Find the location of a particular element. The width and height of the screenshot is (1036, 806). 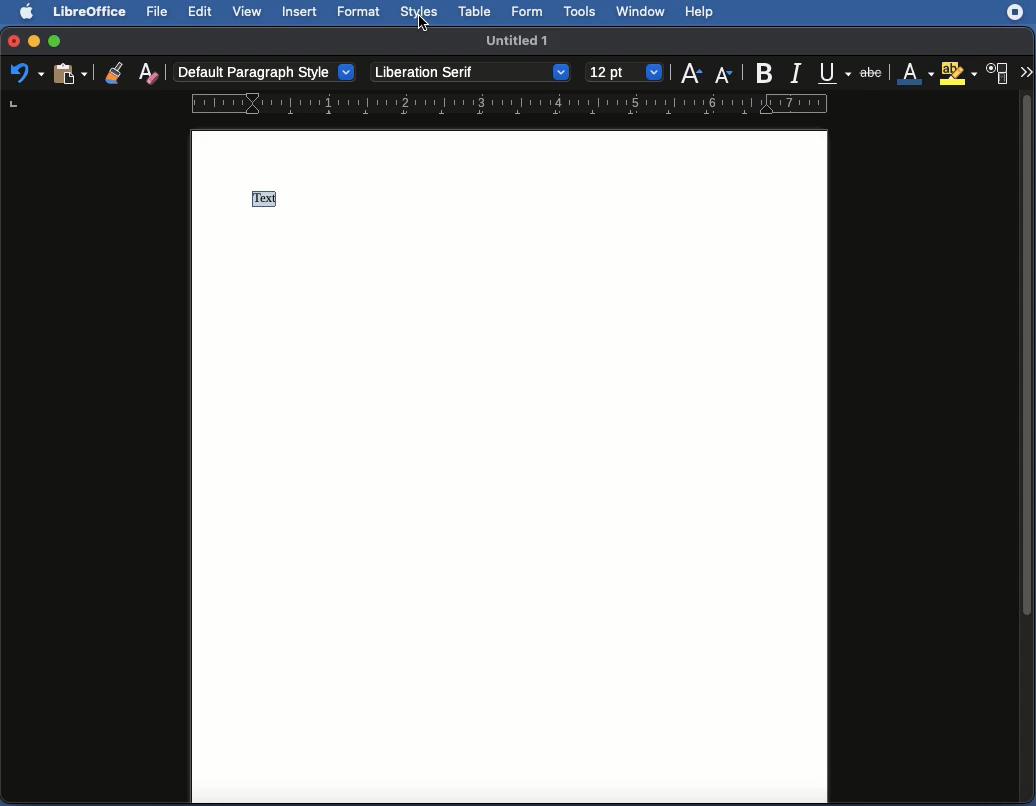

Maximize is located at coordinates (56, 39).